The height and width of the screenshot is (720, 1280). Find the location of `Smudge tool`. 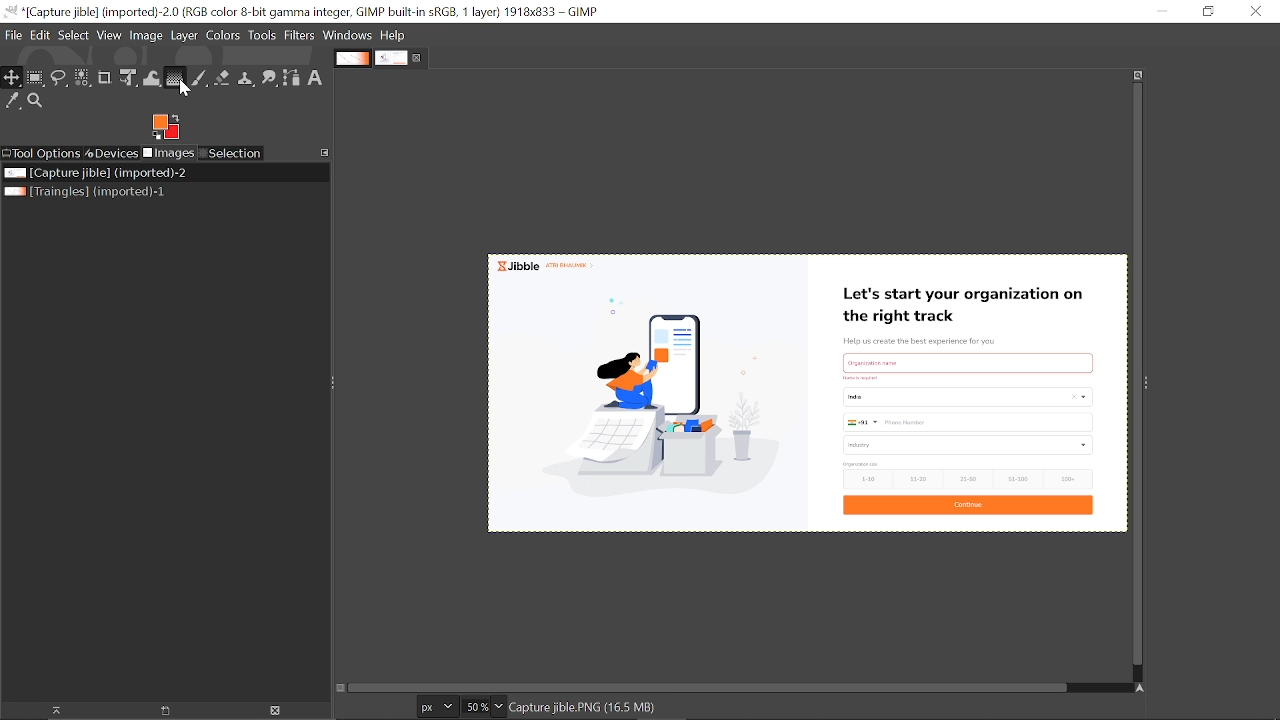

Smudge tool is located at coordinates (268, 77).